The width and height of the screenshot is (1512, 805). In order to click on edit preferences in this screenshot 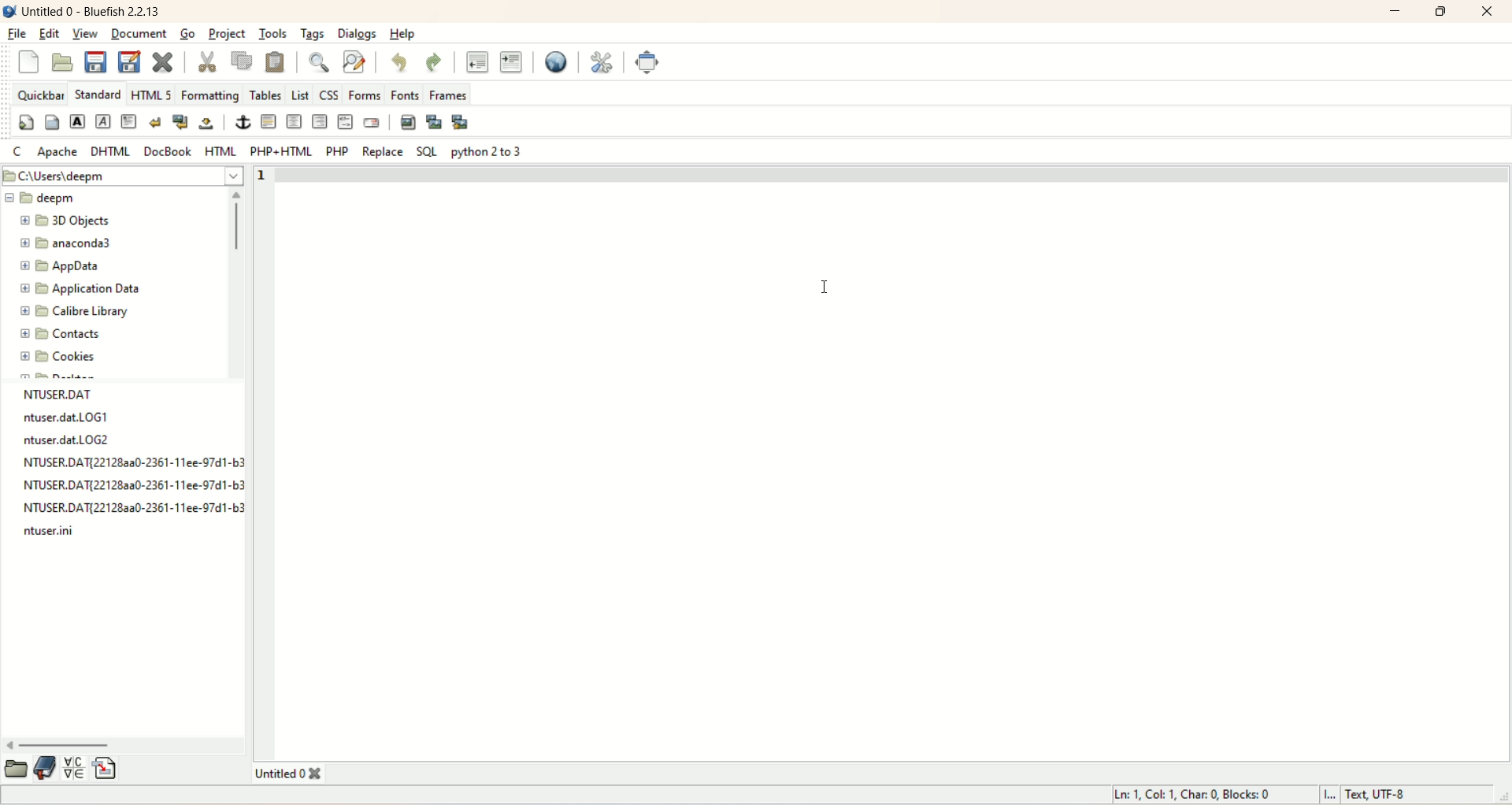, I will do `click(600, 64)`.